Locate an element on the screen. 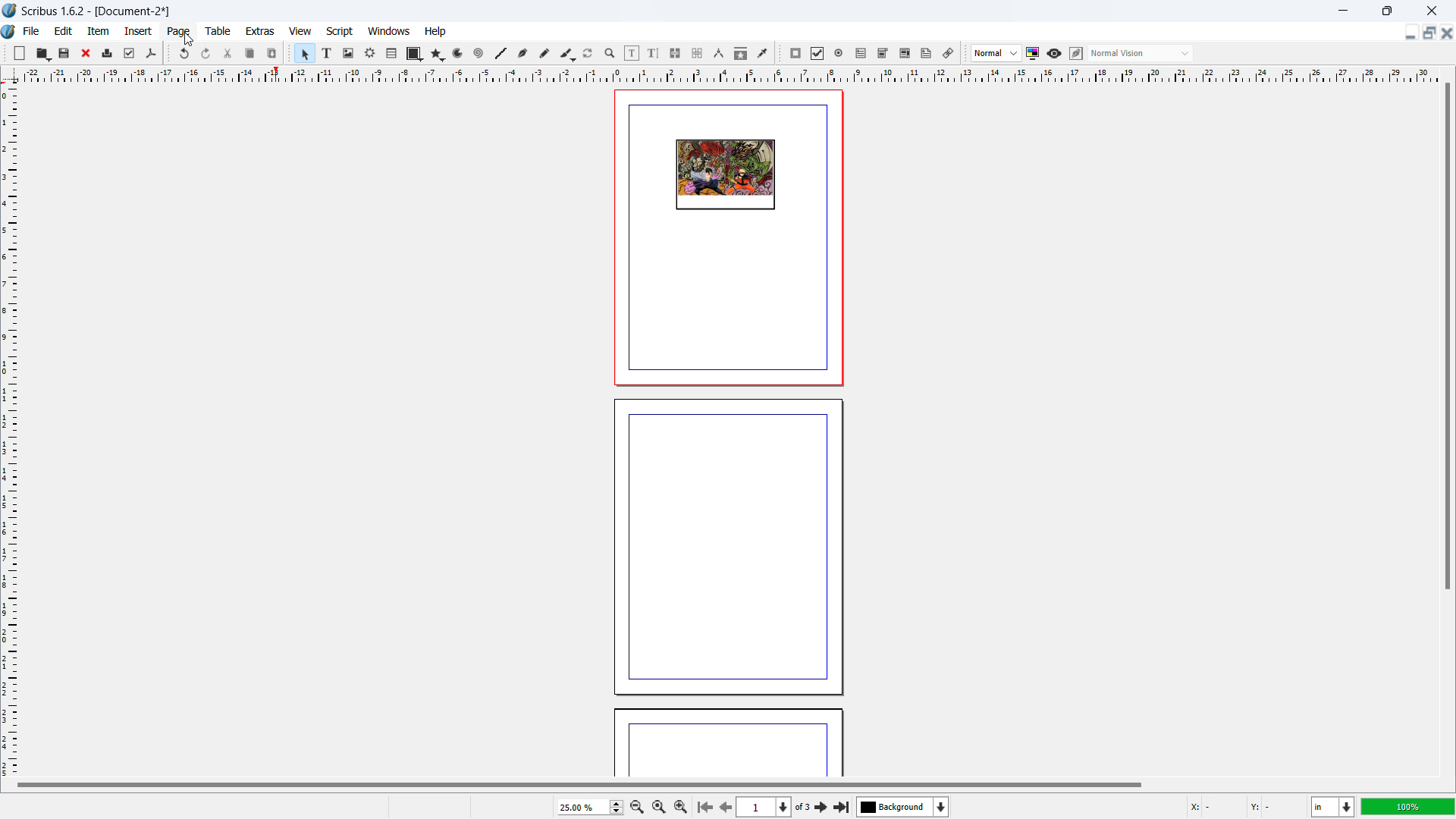  measurement is located at coordinates (718, 54).